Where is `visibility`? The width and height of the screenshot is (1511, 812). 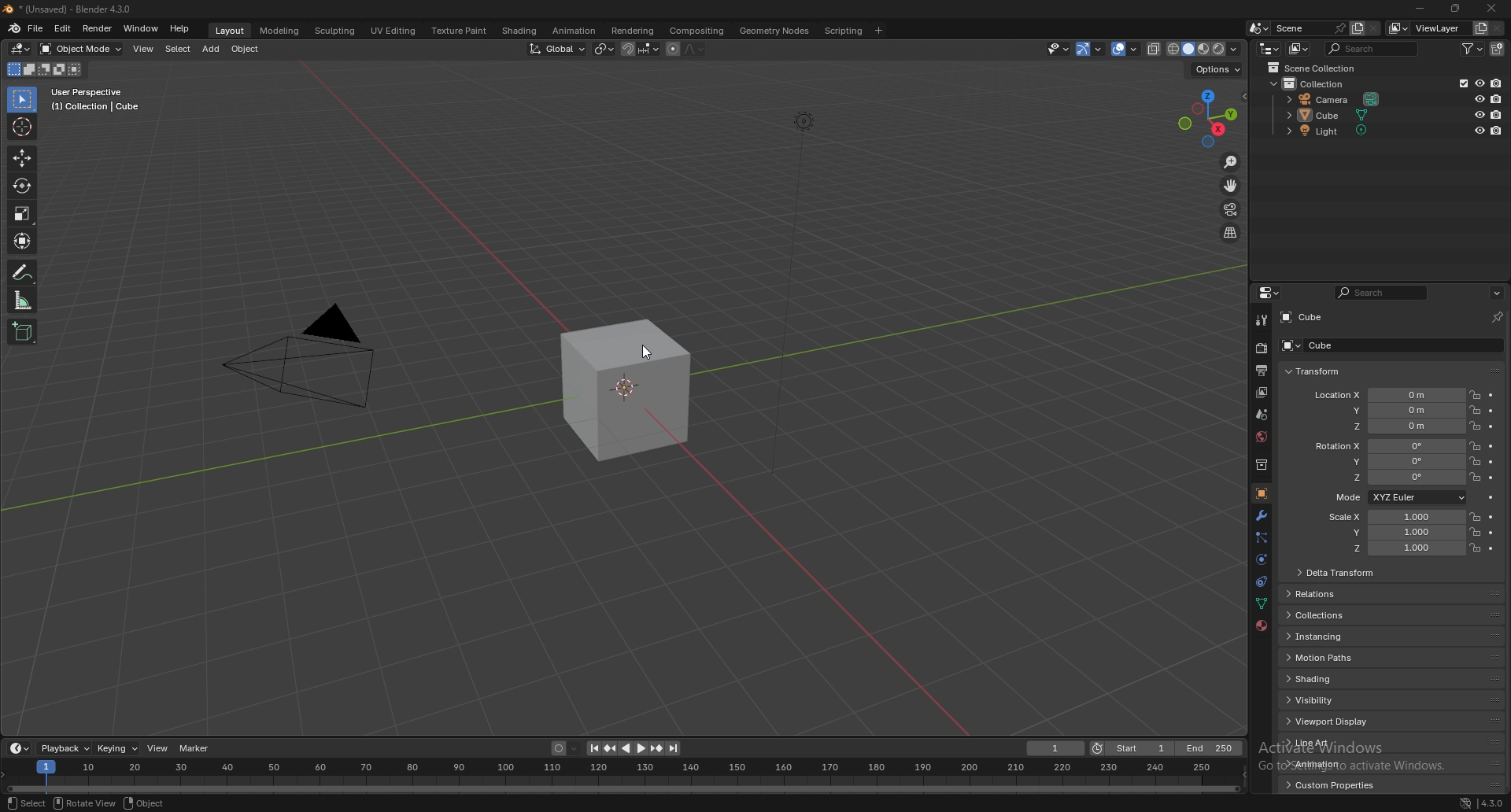 visibility is located at coordinates (1332, 699).